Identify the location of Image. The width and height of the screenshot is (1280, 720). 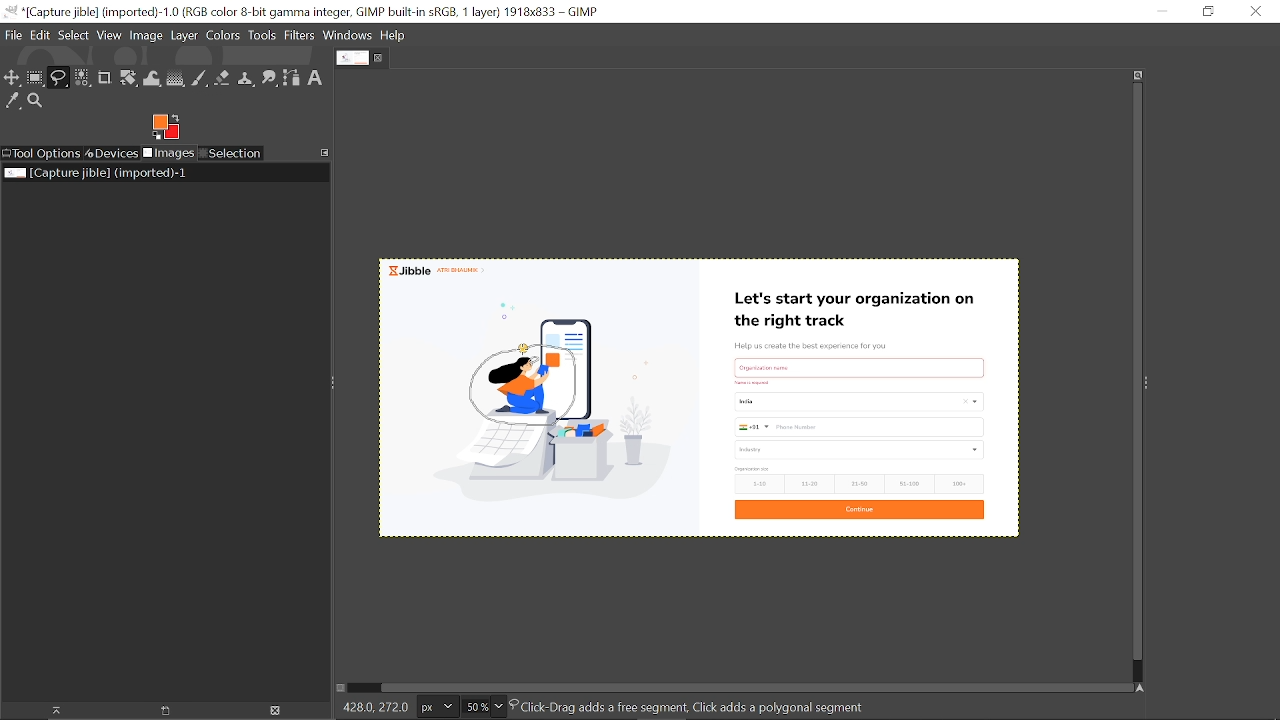
(146, 34).